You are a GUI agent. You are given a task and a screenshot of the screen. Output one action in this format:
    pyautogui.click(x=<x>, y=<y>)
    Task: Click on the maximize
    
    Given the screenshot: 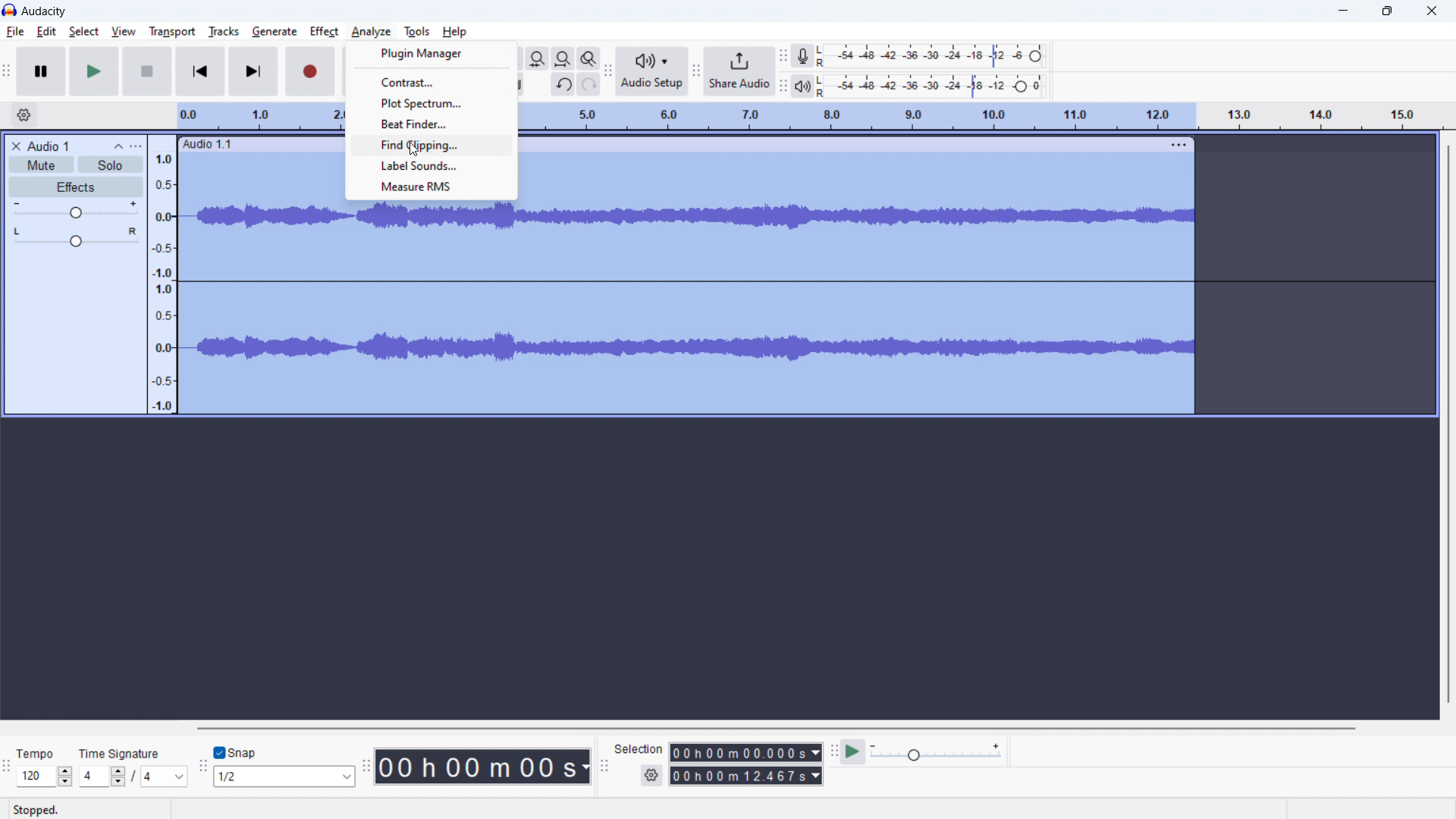 What is the action you would take?
    pyautogui.click(x=1387, y=11)
    